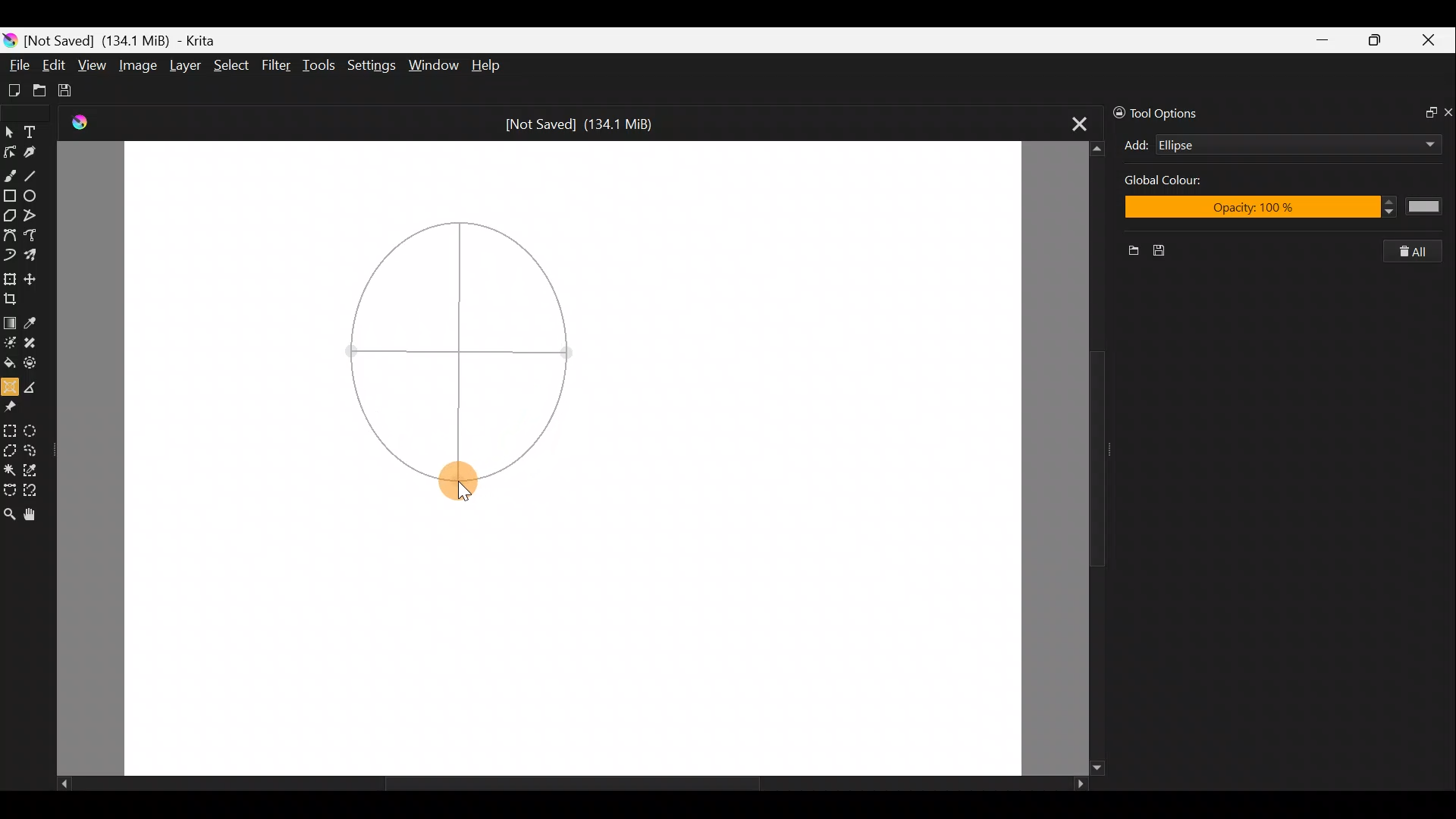 This screenshot has width=1456, height=819. I want to click on Edit shapes tool, so click(12, 149).